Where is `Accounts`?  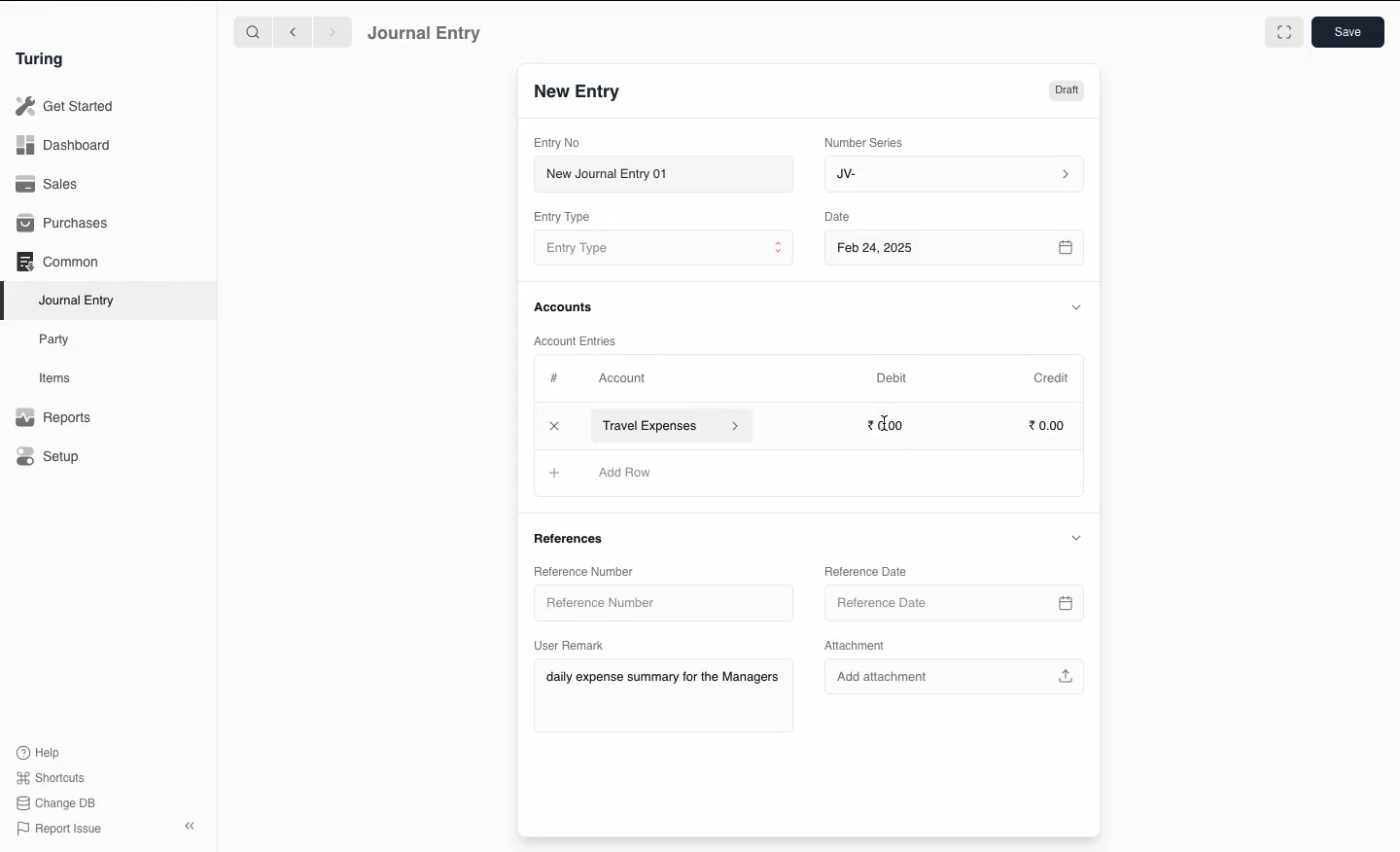 Accounts is located at coordinates (565, 307).